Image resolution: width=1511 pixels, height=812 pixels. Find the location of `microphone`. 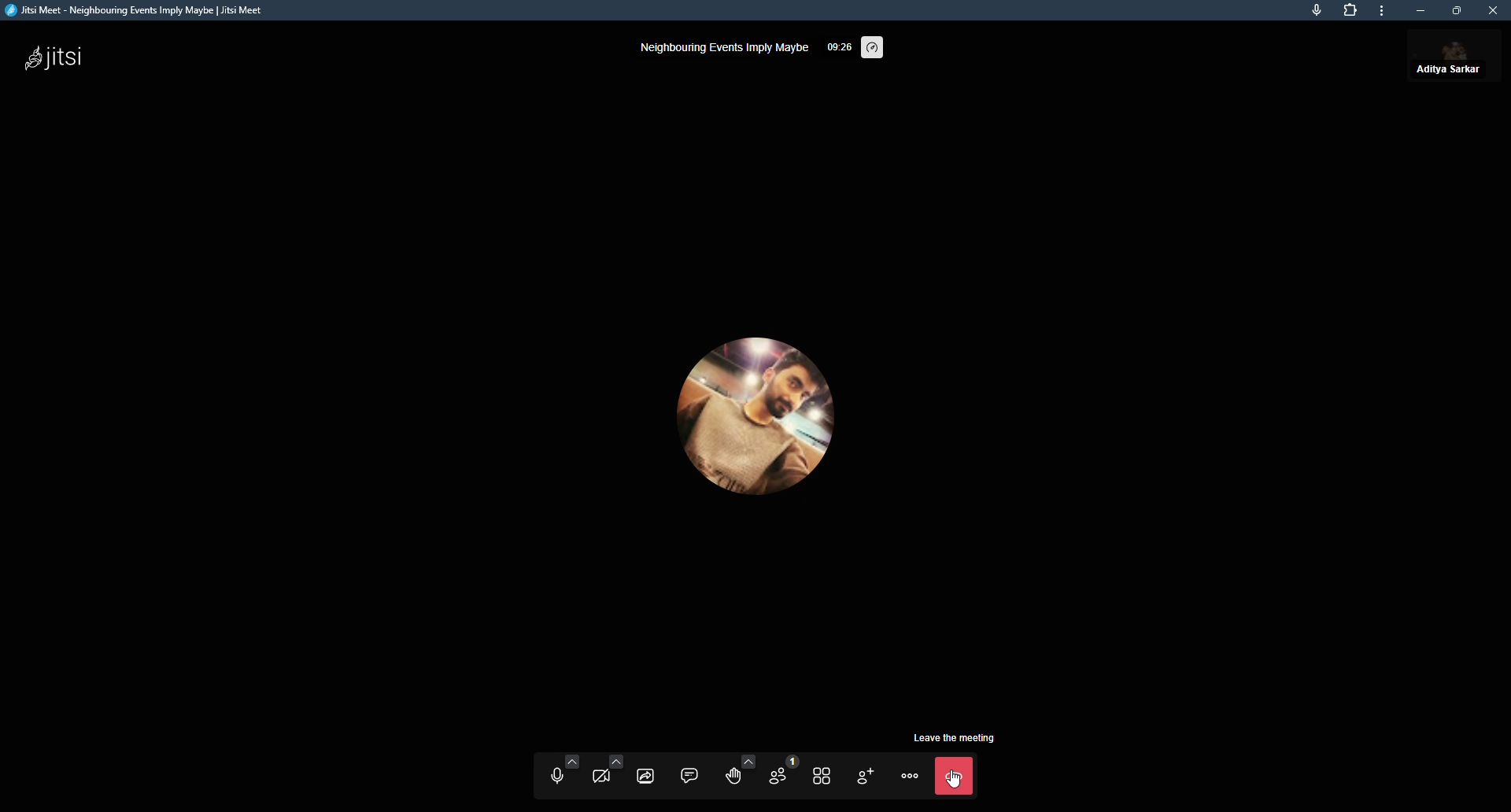

microphone is located at coordinates (1313, 14).